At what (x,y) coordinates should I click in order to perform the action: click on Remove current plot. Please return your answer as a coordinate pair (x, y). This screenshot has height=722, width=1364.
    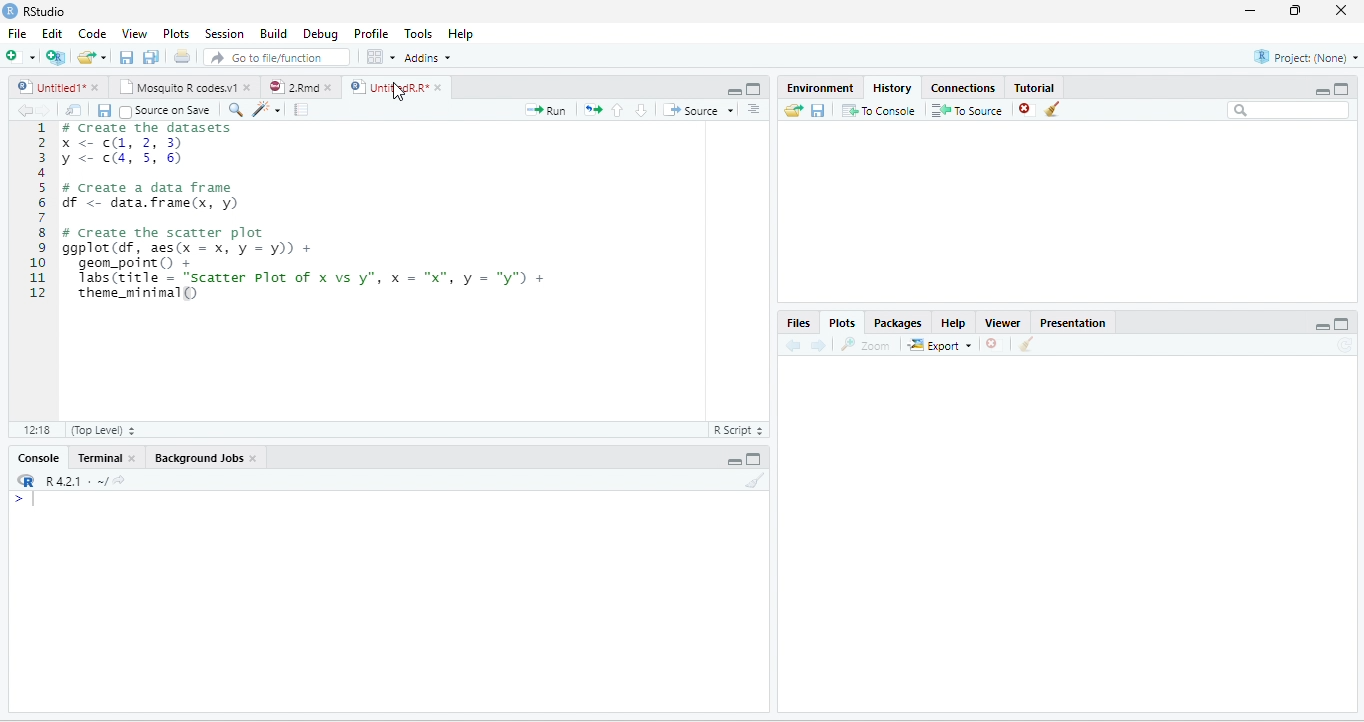
    Looking at the image, I should click on (993, 345).